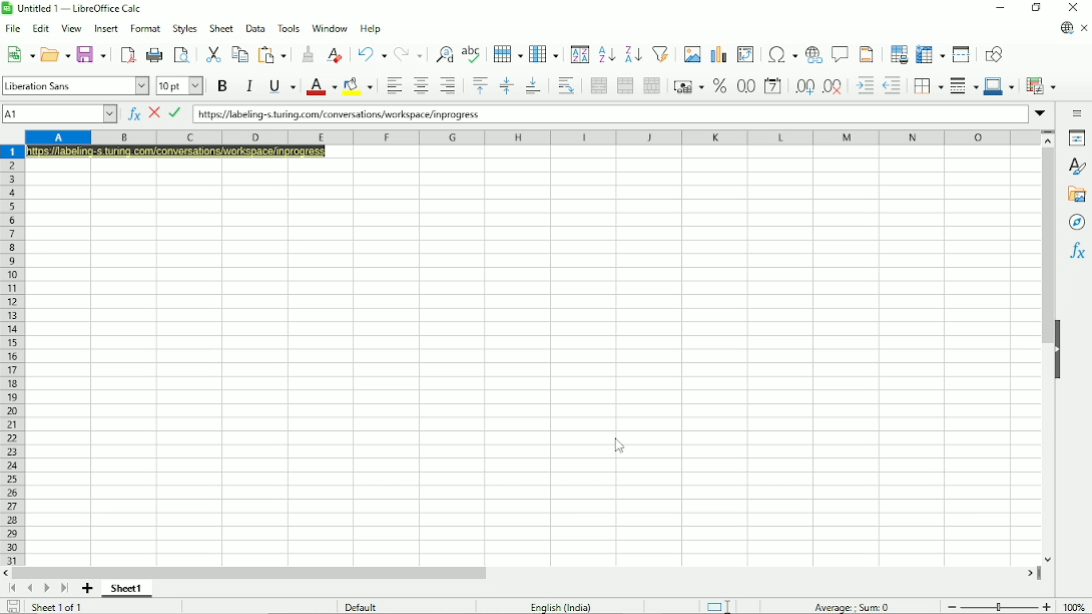 The image size is (1092, 614). Describe the element at coordinates (13, 28) in the screenshot. I see `file` at that location.